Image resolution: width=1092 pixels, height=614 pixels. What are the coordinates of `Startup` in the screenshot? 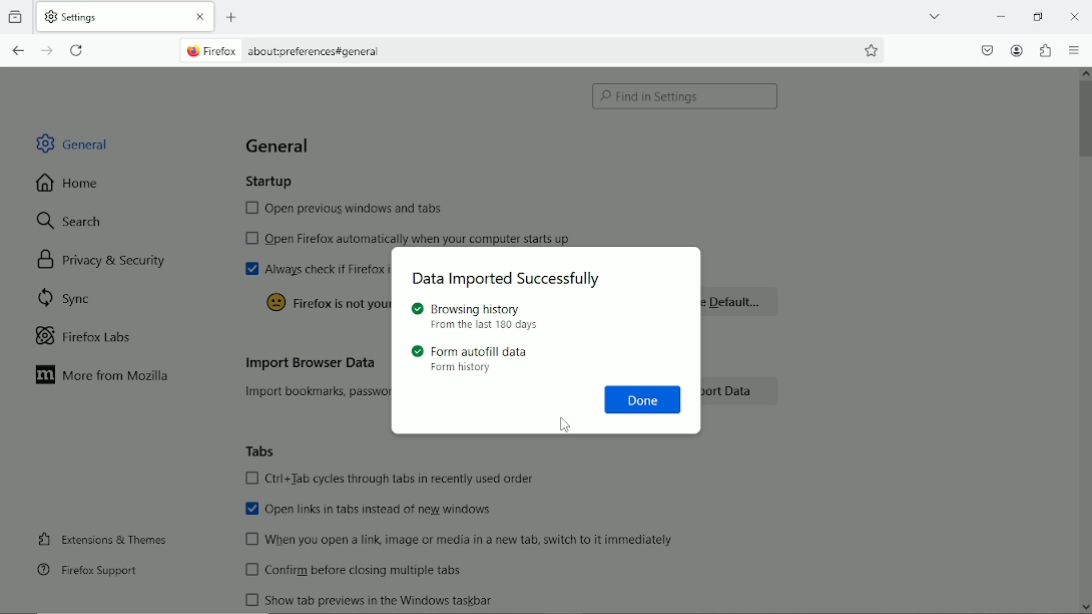 It's located at (268, 183).